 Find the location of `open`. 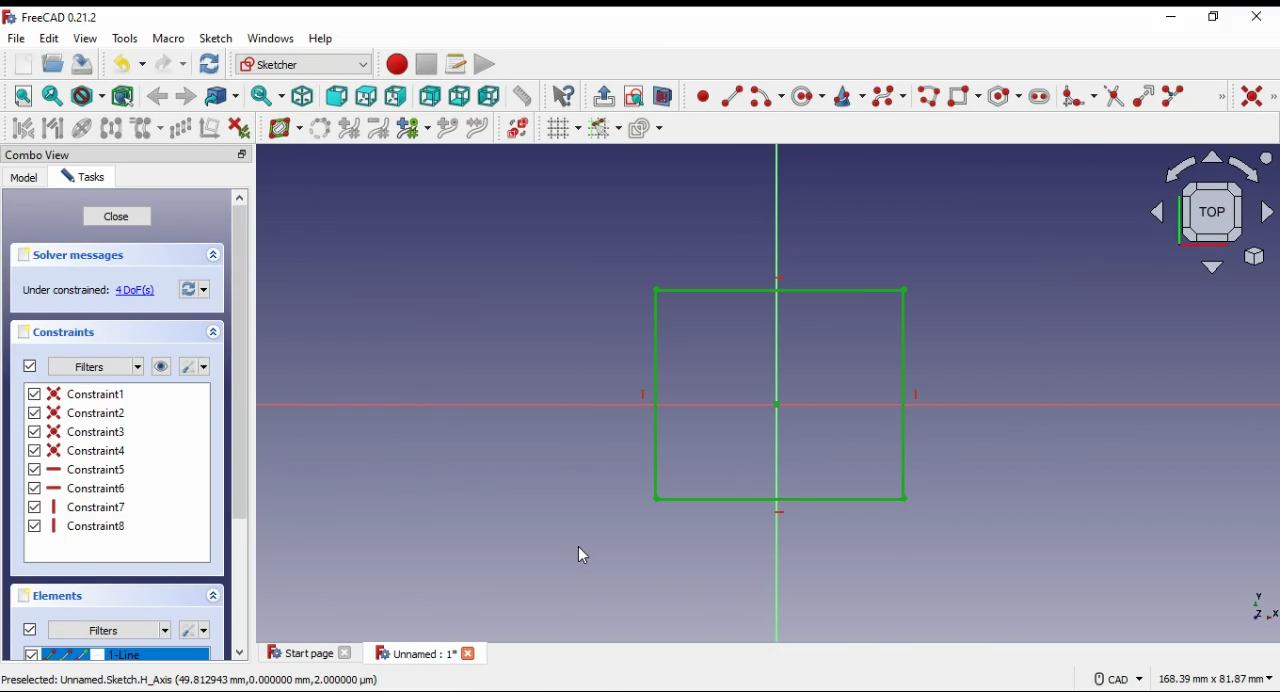

open is located at coordinates (53, 63).